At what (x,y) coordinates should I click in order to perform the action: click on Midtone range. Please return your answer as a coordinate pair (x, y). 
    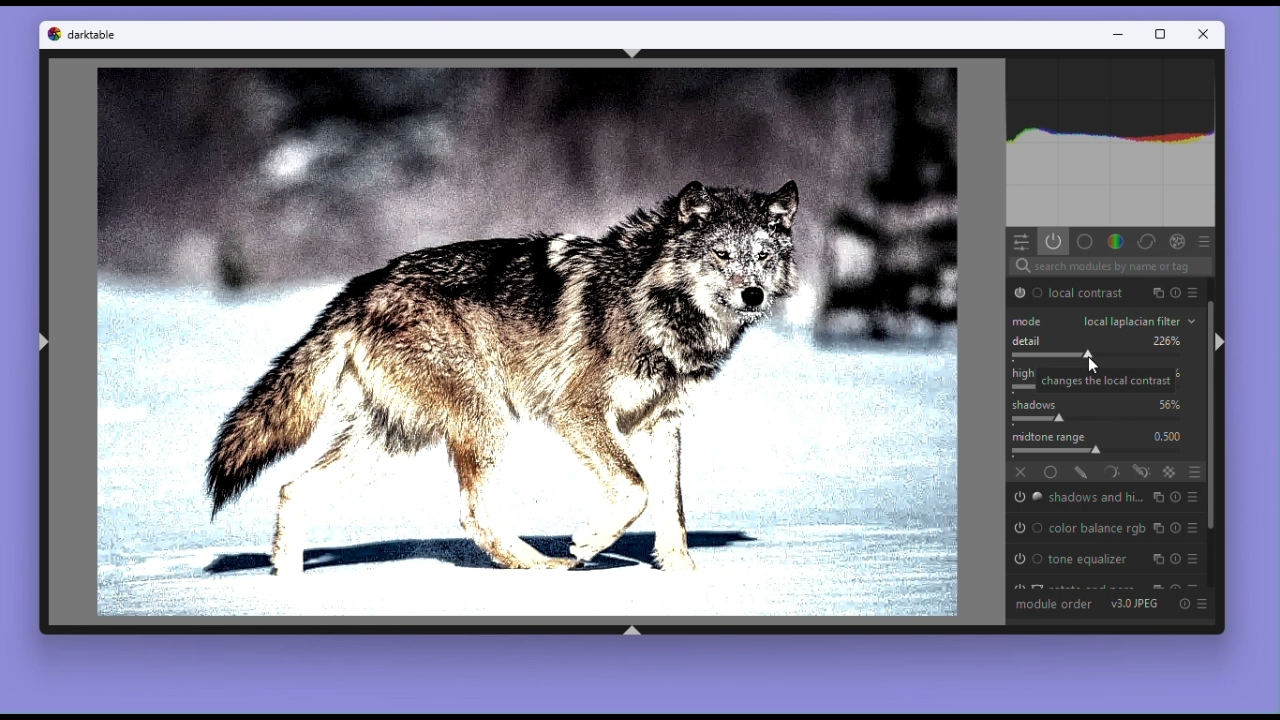
    Looking at the image, I should click on (1107, 443).